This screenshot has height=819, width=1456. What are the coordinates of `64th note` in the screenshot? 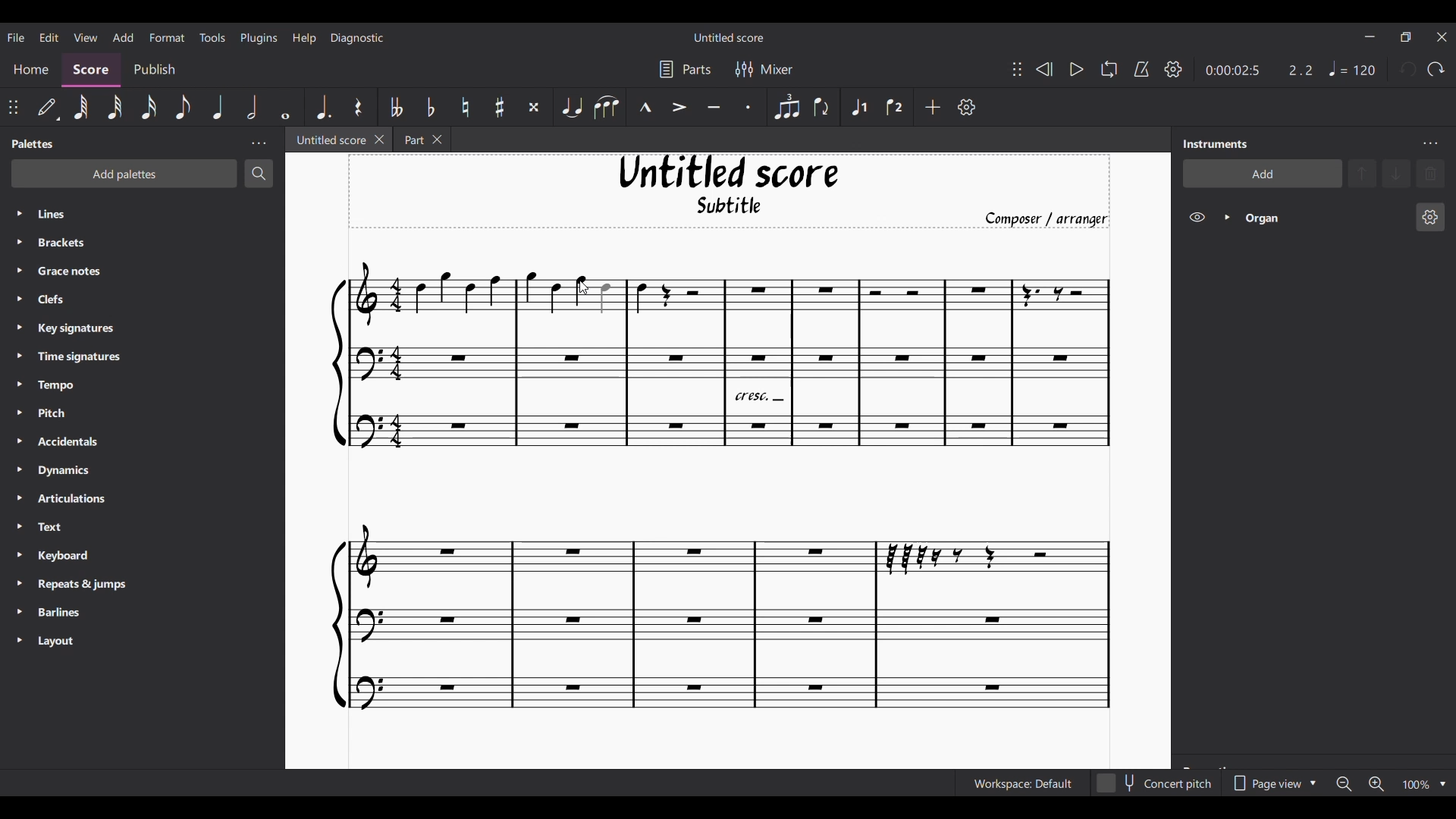 It's located at (82, 108).